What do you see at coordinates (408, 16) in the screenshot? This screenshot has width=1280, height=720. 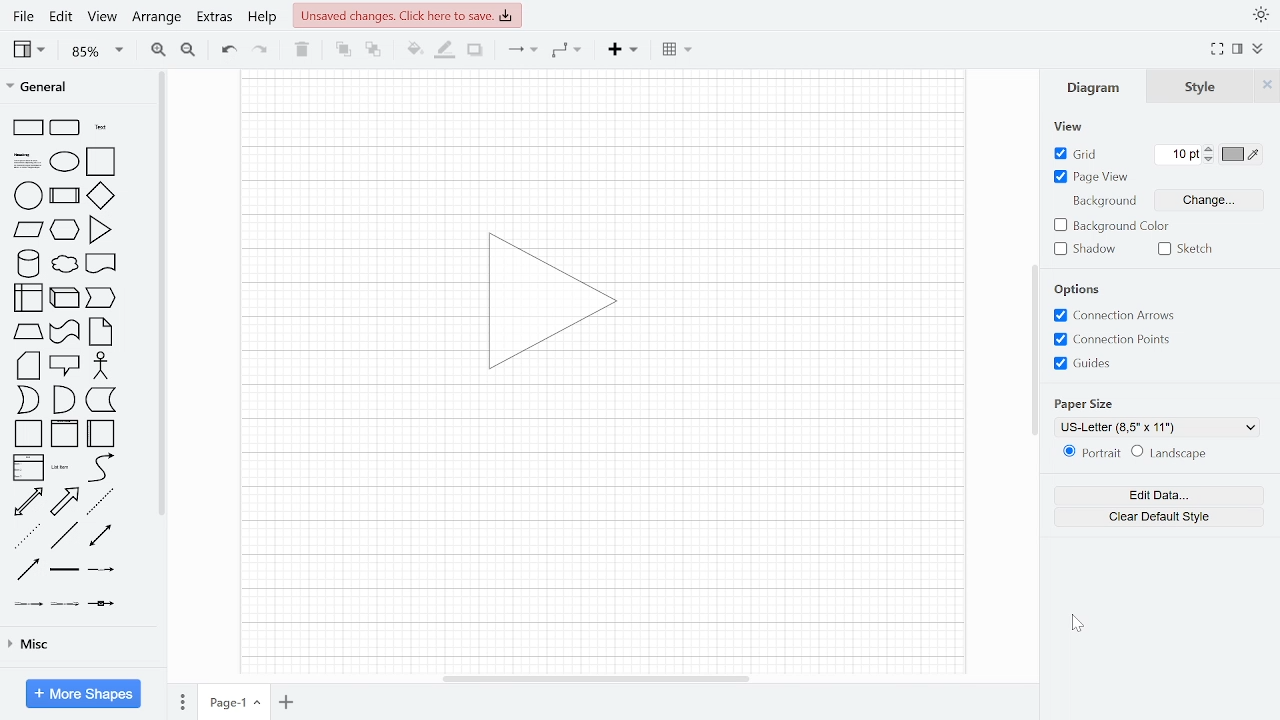 I see `Unsaved changes. Click here to save.` at bounding box center [408, 16].